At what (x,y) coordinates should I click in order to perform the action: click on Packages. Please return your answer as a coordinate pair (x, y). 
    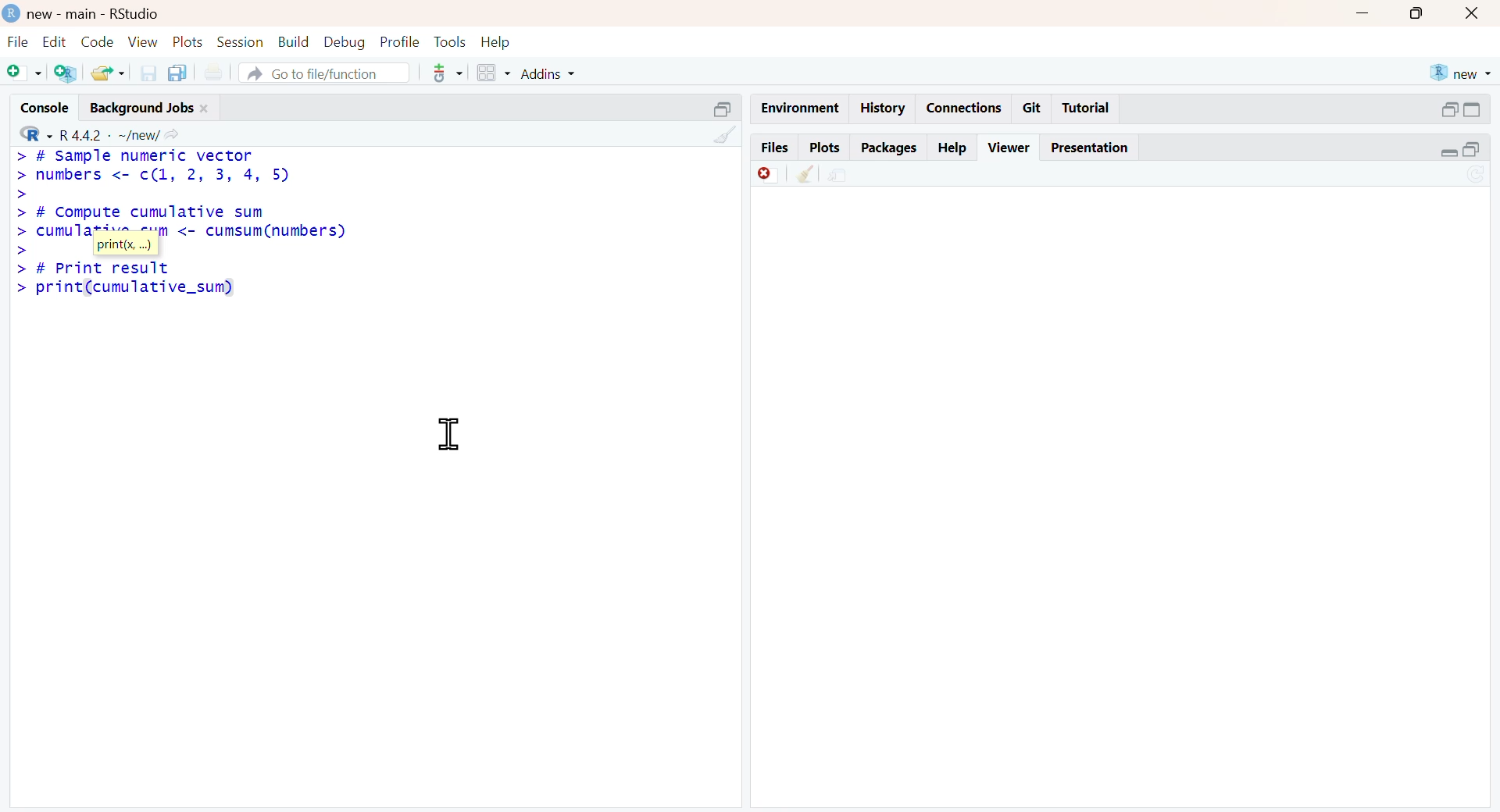
    Looking at the image, I should click on (891, 148).